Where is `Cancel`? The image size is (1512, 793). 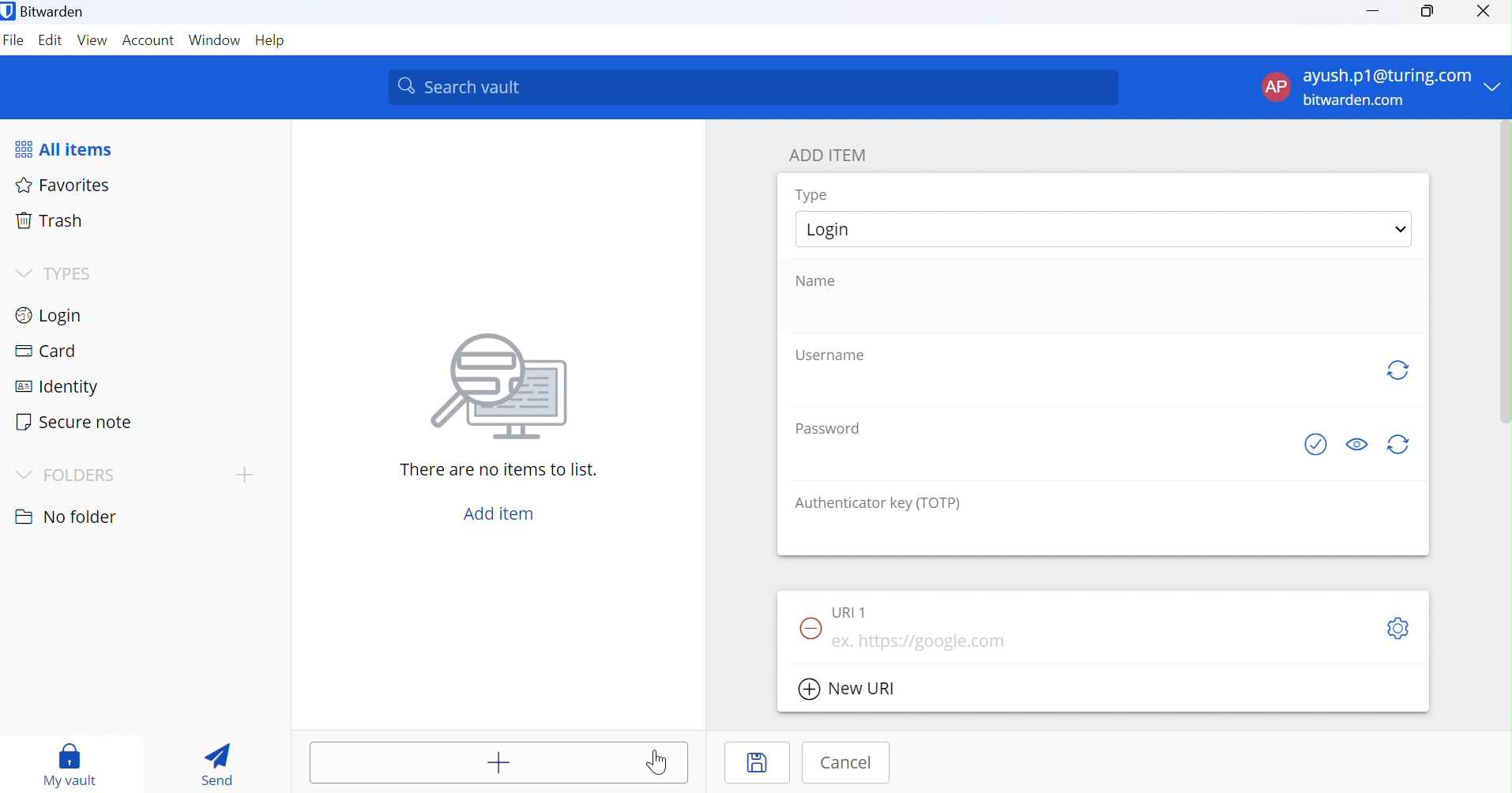 Cancel is located at coordinates (846, 763).